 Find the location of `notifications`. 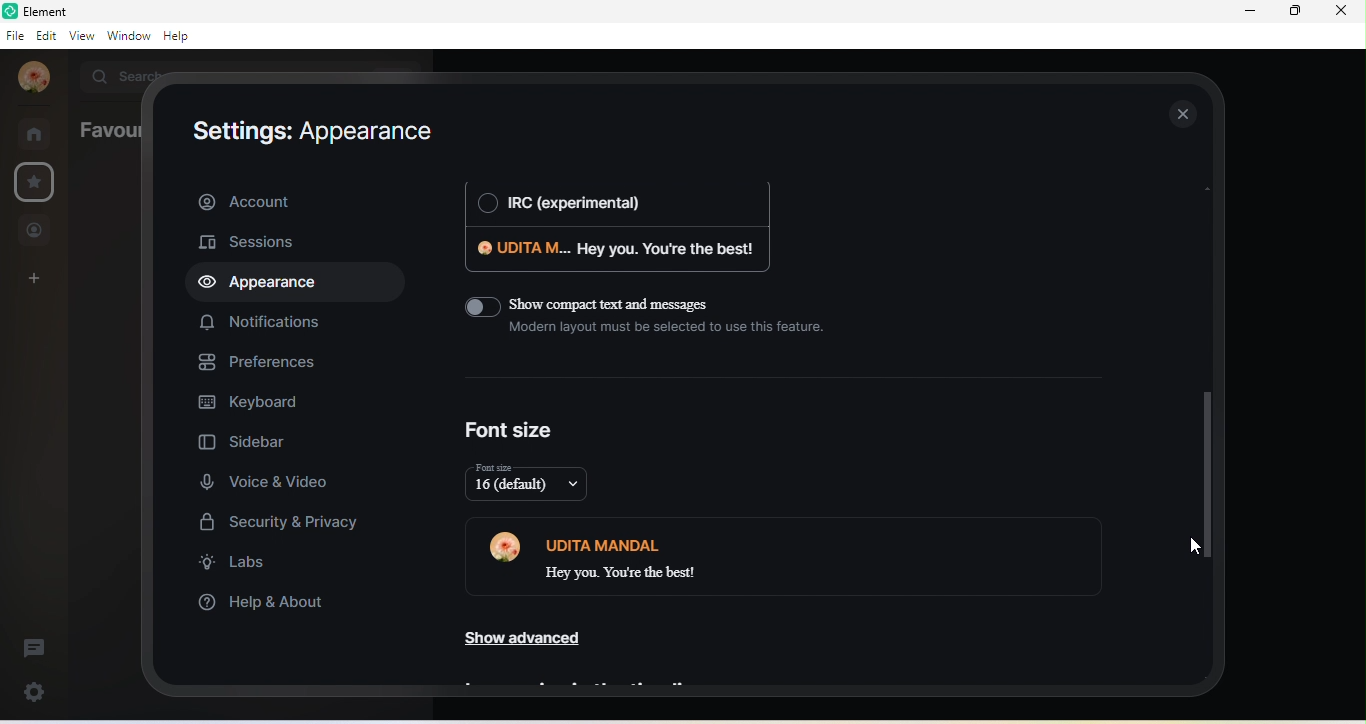

notifications is located at coordinates (260, 325).